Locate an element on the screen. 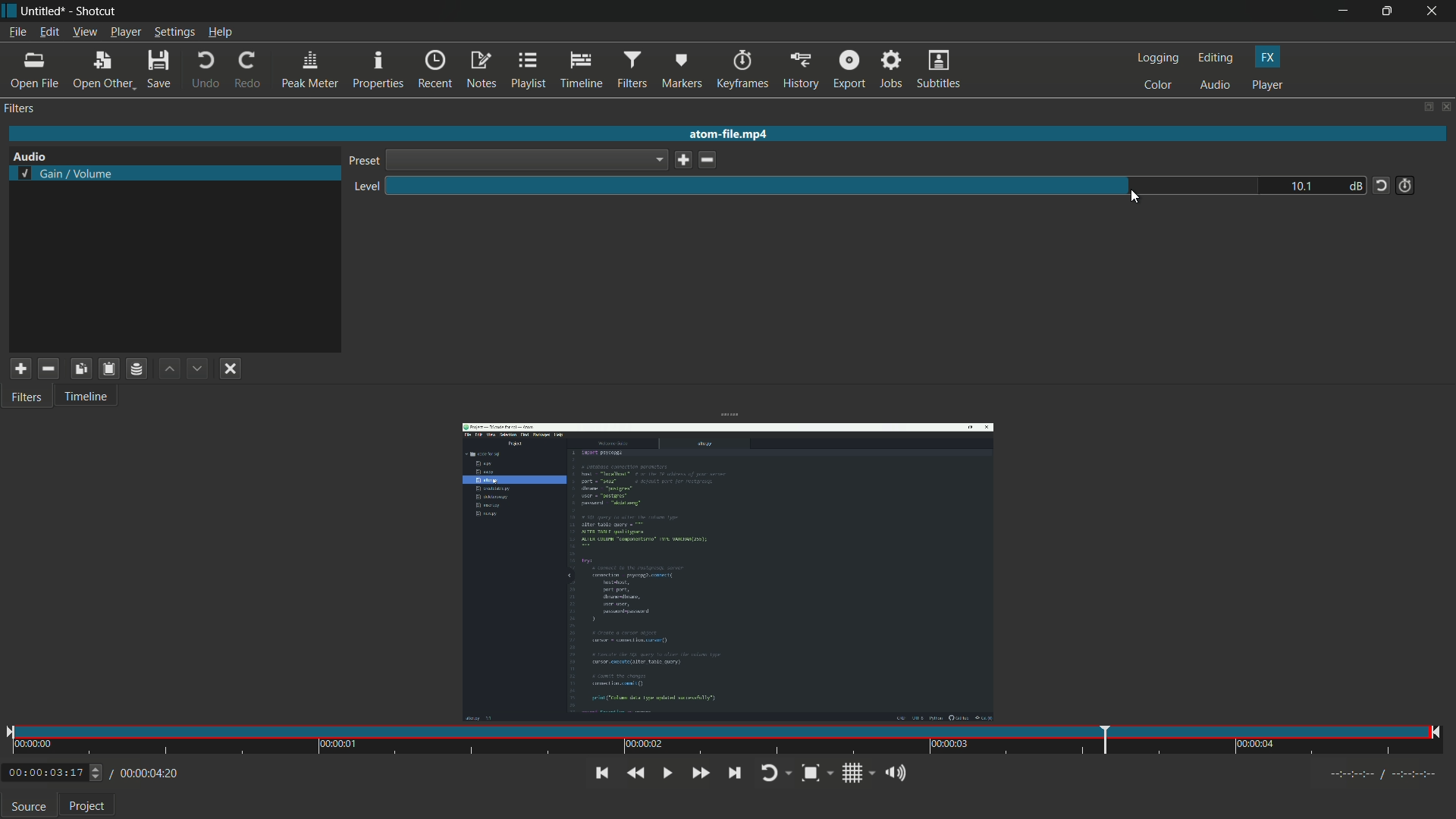  delete is located at coordinates (706, 160).